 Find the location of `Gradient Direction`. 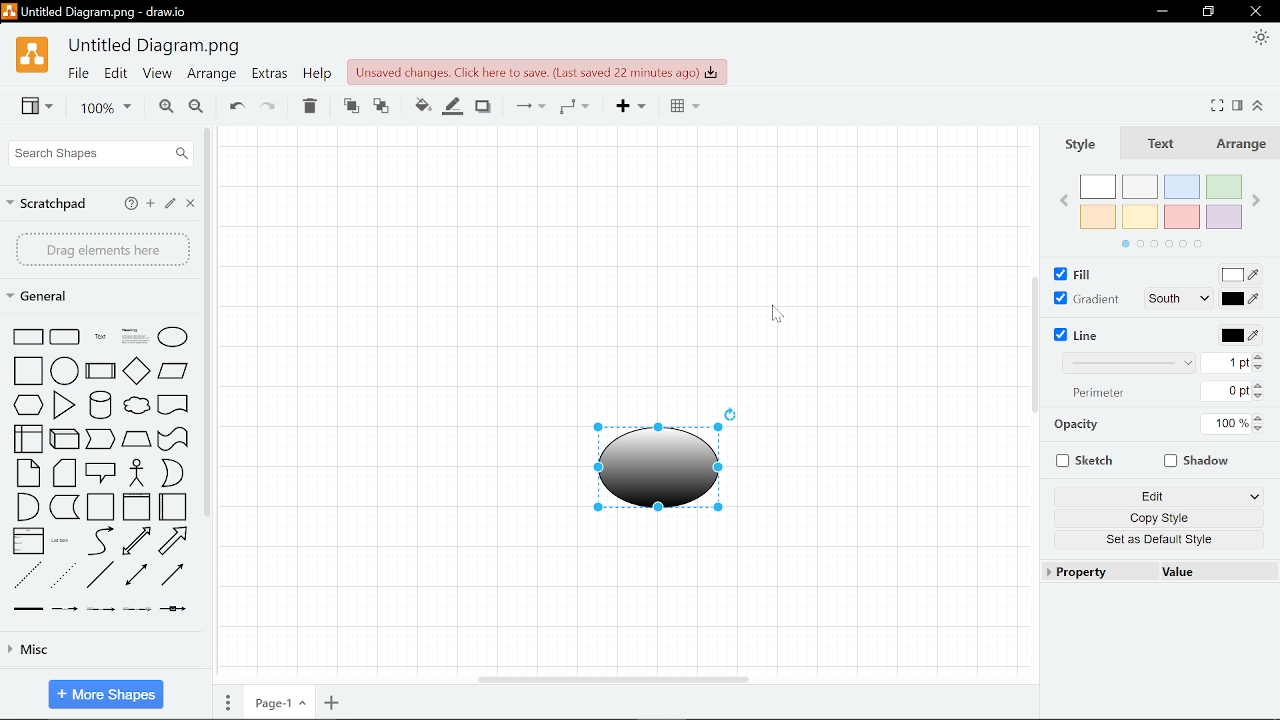

Gradient Direction is located at coordinates (1181, 298).